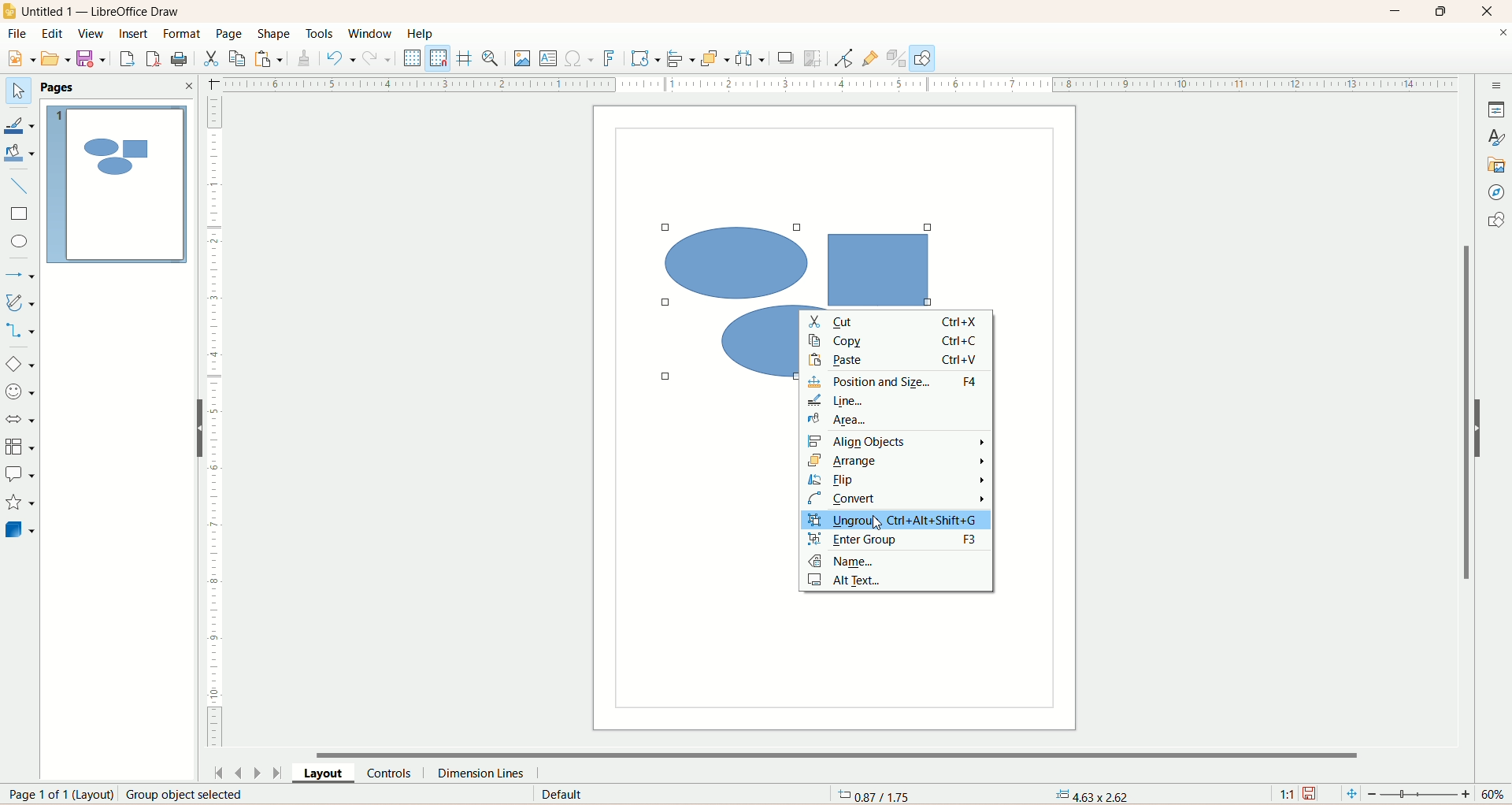  Describe the element at coordinates (239, 59) in the screenshot. I see `copy` at that location.